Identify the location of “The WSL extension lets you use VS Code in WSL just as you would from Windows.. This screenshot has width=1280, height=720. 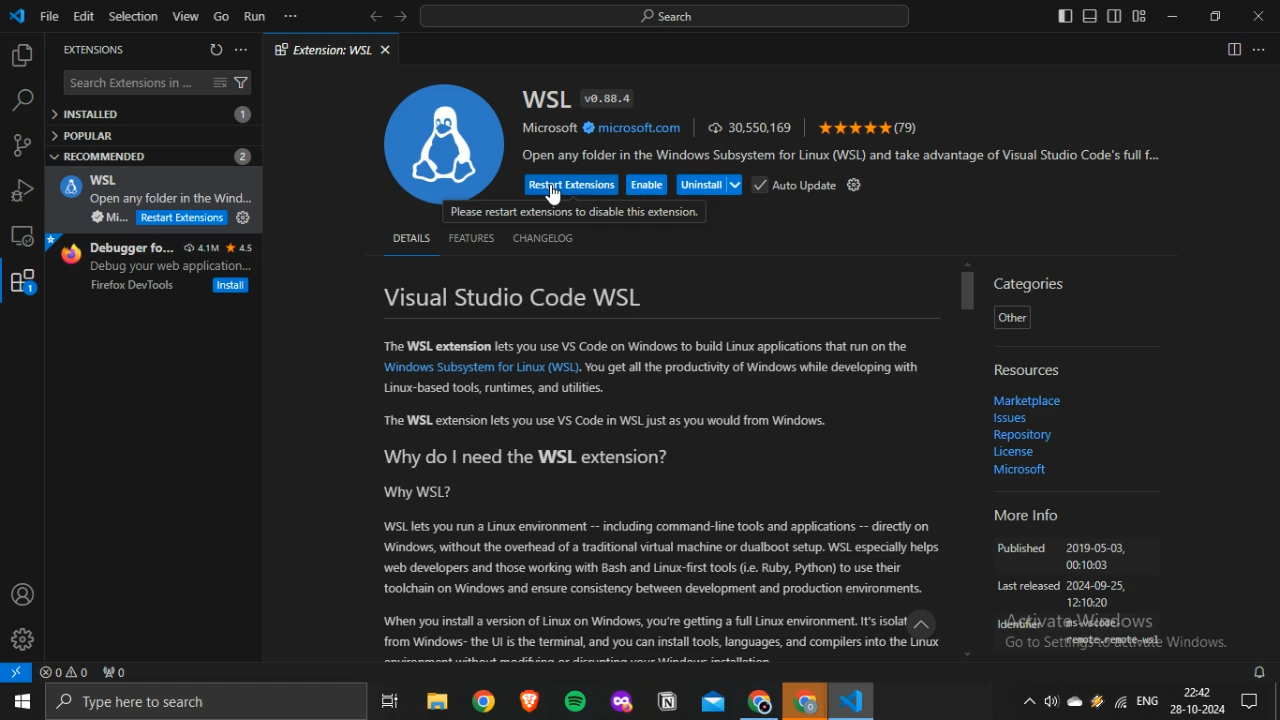
(606, 423).